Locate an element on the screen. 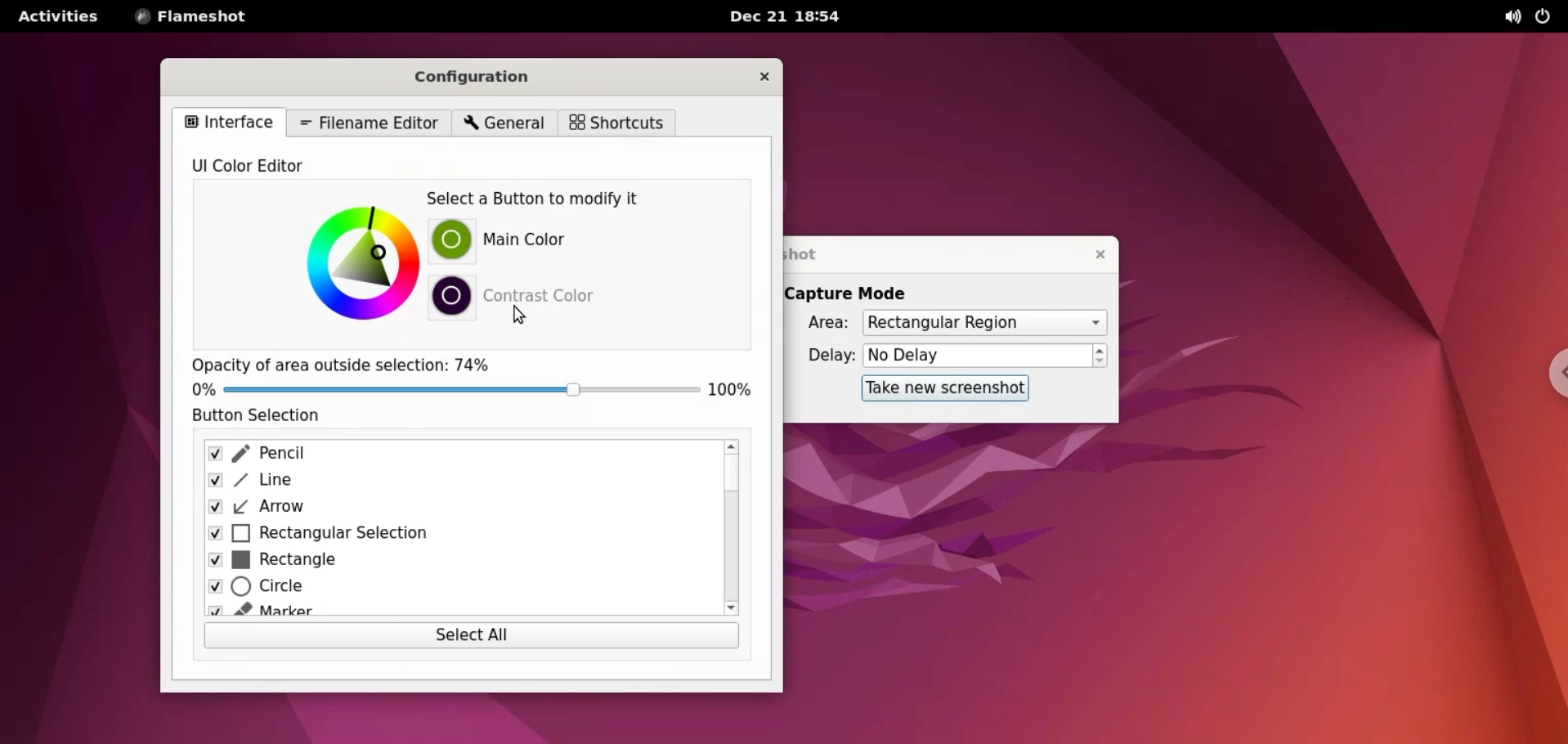 Image resolution: width=1568 pixels, height=744 pixels. chrome options is located at coordinates (1550, 372).